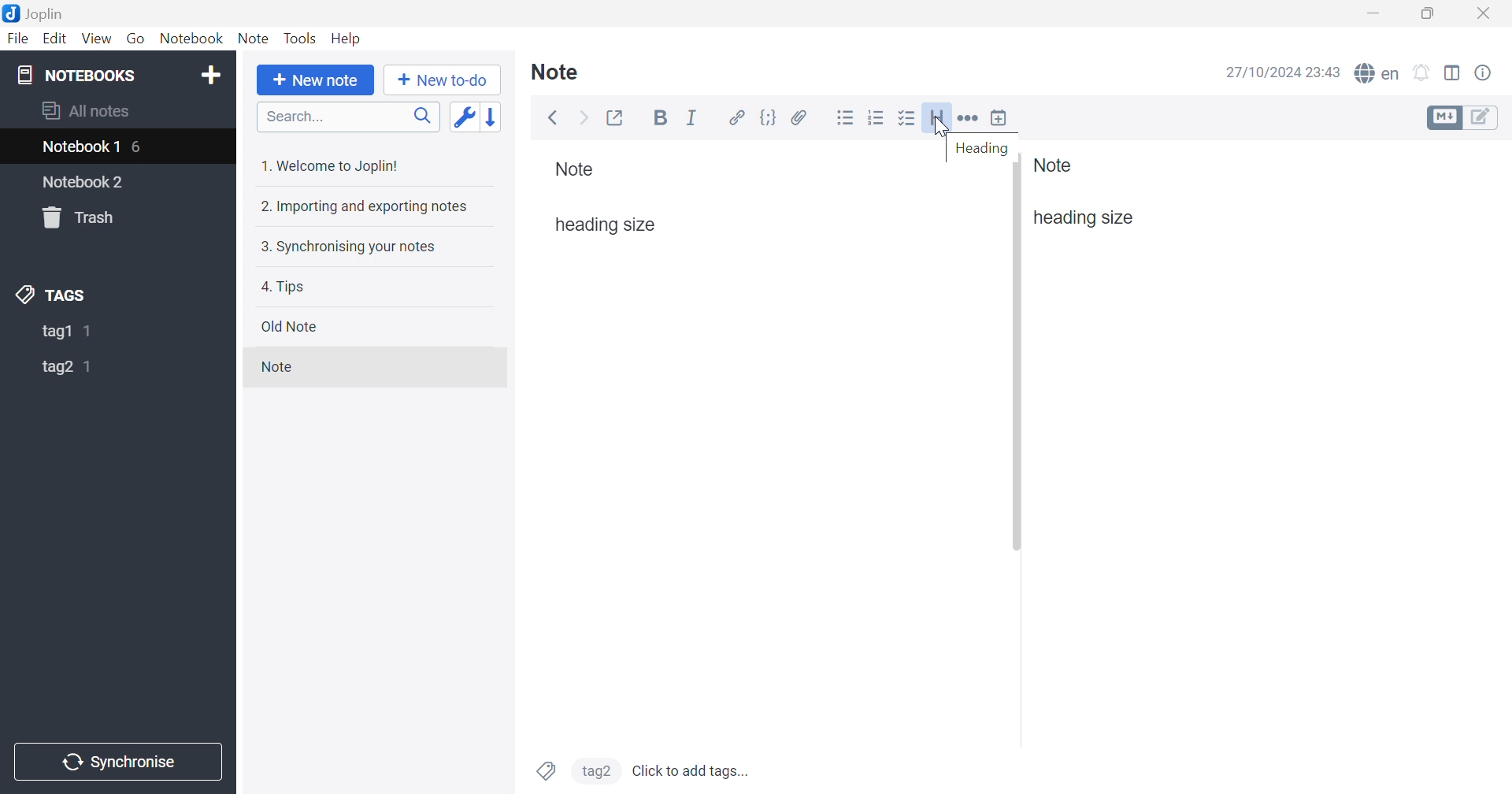 The height and width of the screenshot is (794, 1512). I want to click on 1. Welcome to Joplin, so click(332, 165).